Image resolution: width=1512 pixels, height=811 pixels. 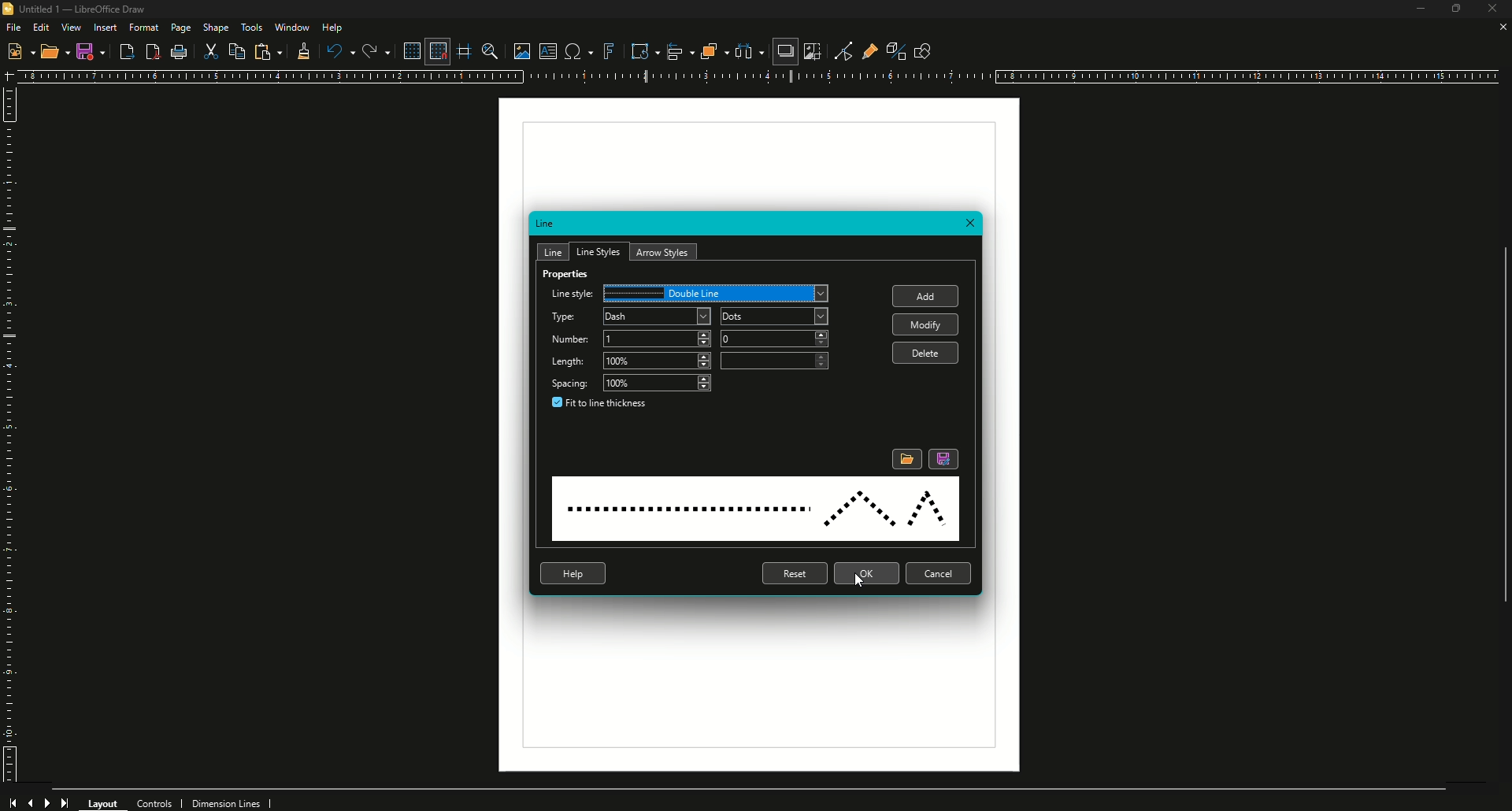 I want to click on Format, so click(x=144, y=28).